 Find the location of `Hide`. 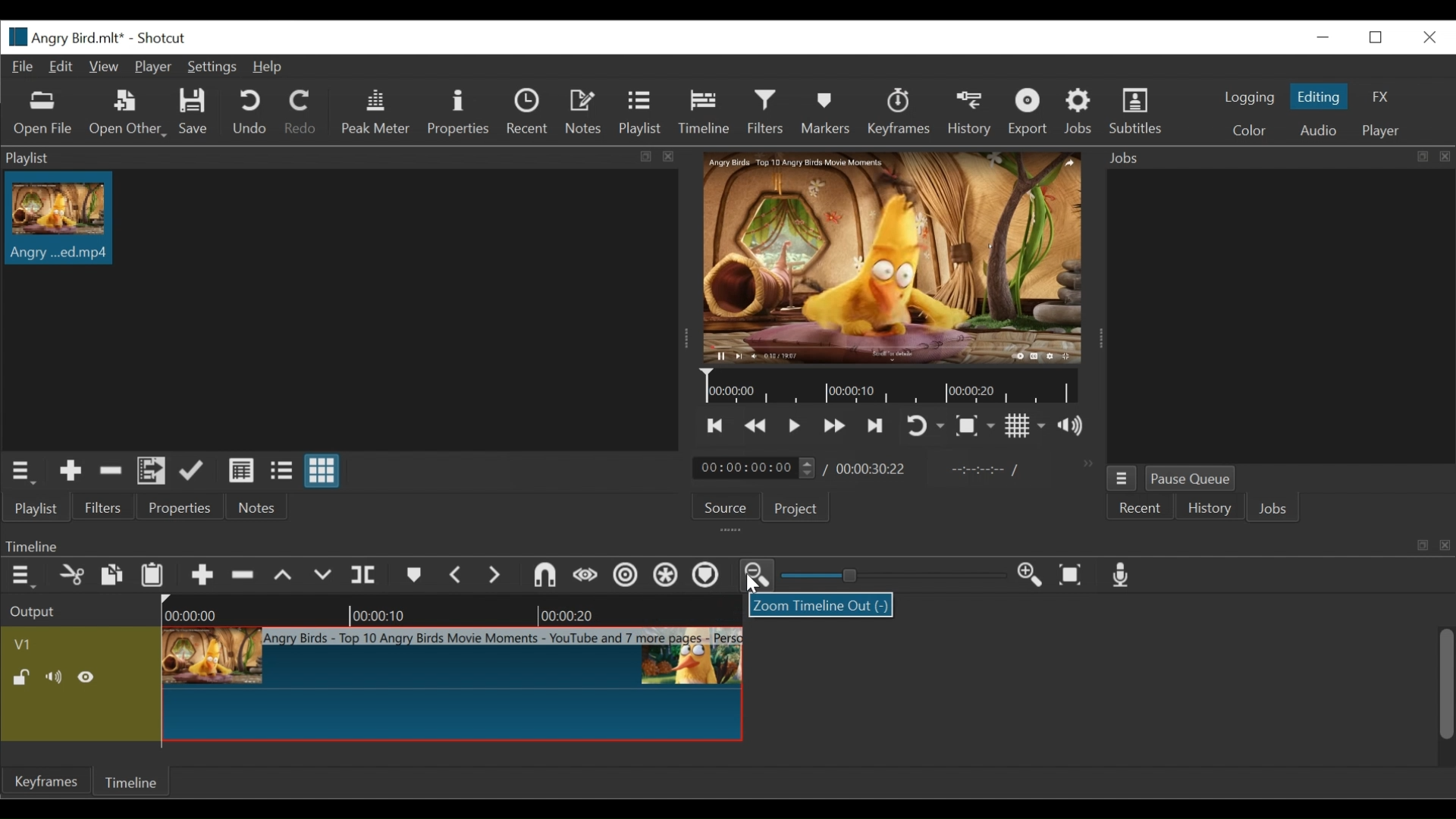

Hide is located at coordinates (89, 677).